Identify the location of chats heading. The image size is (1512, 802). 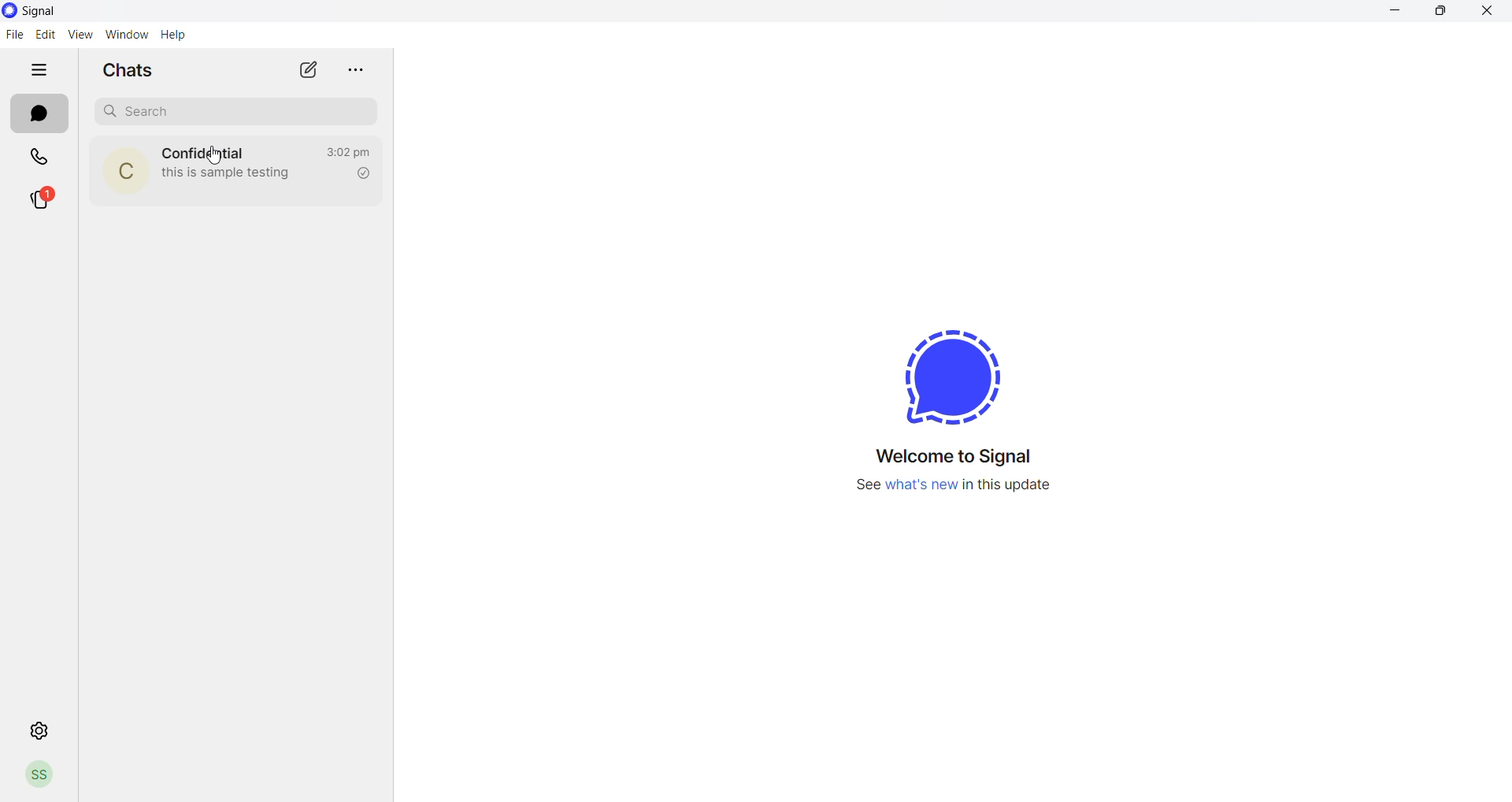
(133, 69).